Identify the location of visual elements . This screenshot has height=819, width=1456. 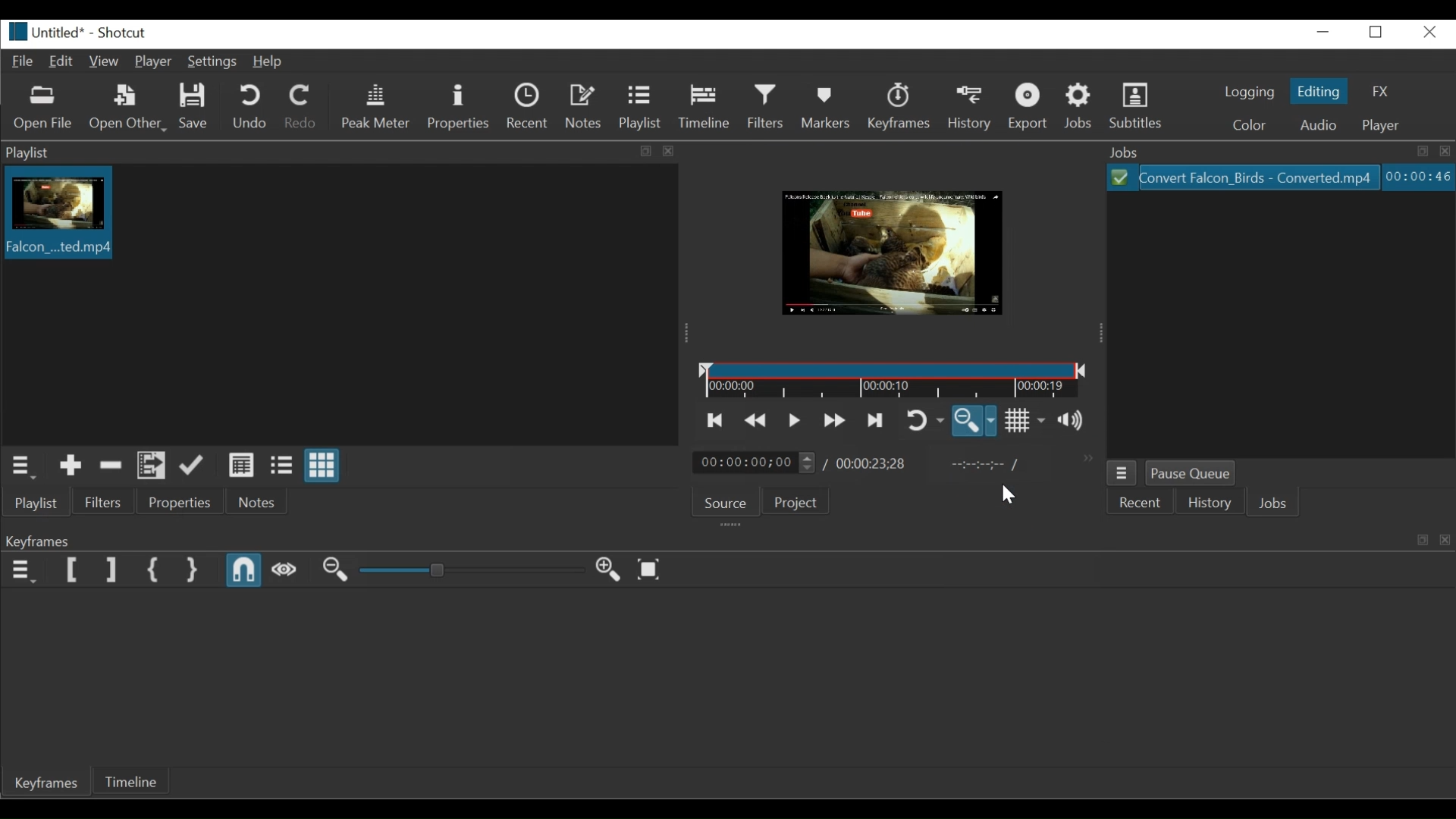
(1427, 540).